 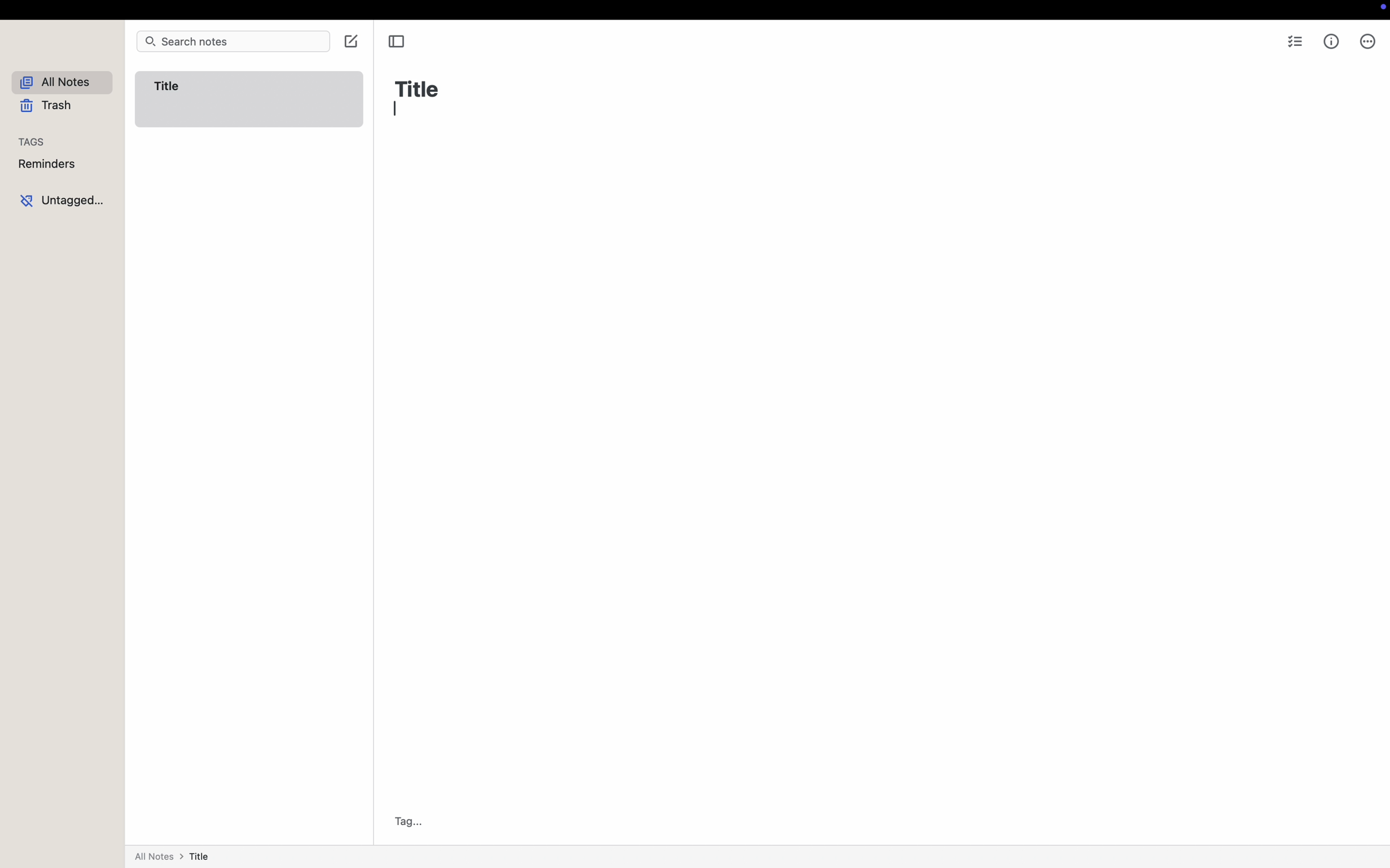 What do you see at coordinates (61, 142) in the screenshot?
I see `tags` at bounding box center [61, 142].